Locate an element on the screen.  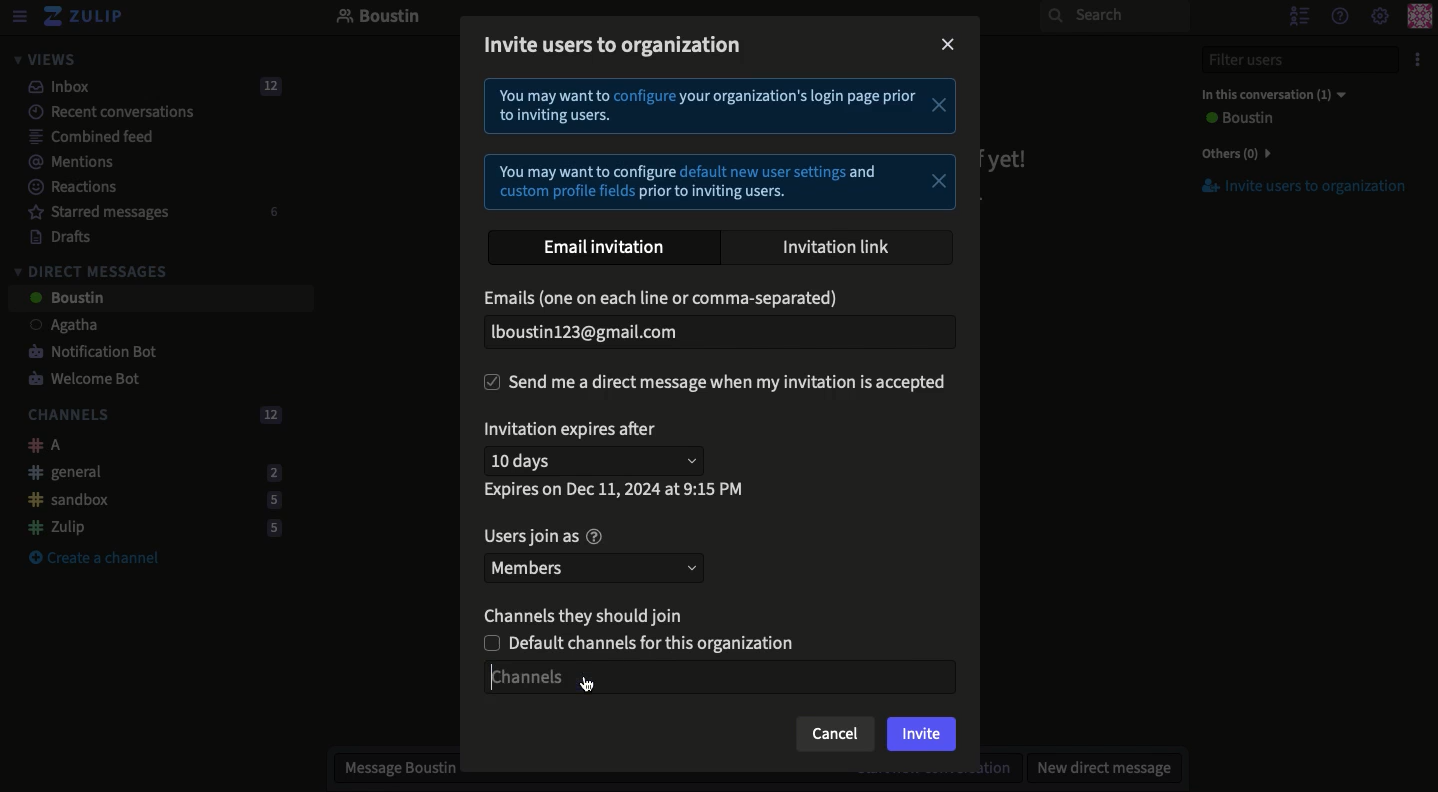
In this conversation is located at coordinates (1269, 94).